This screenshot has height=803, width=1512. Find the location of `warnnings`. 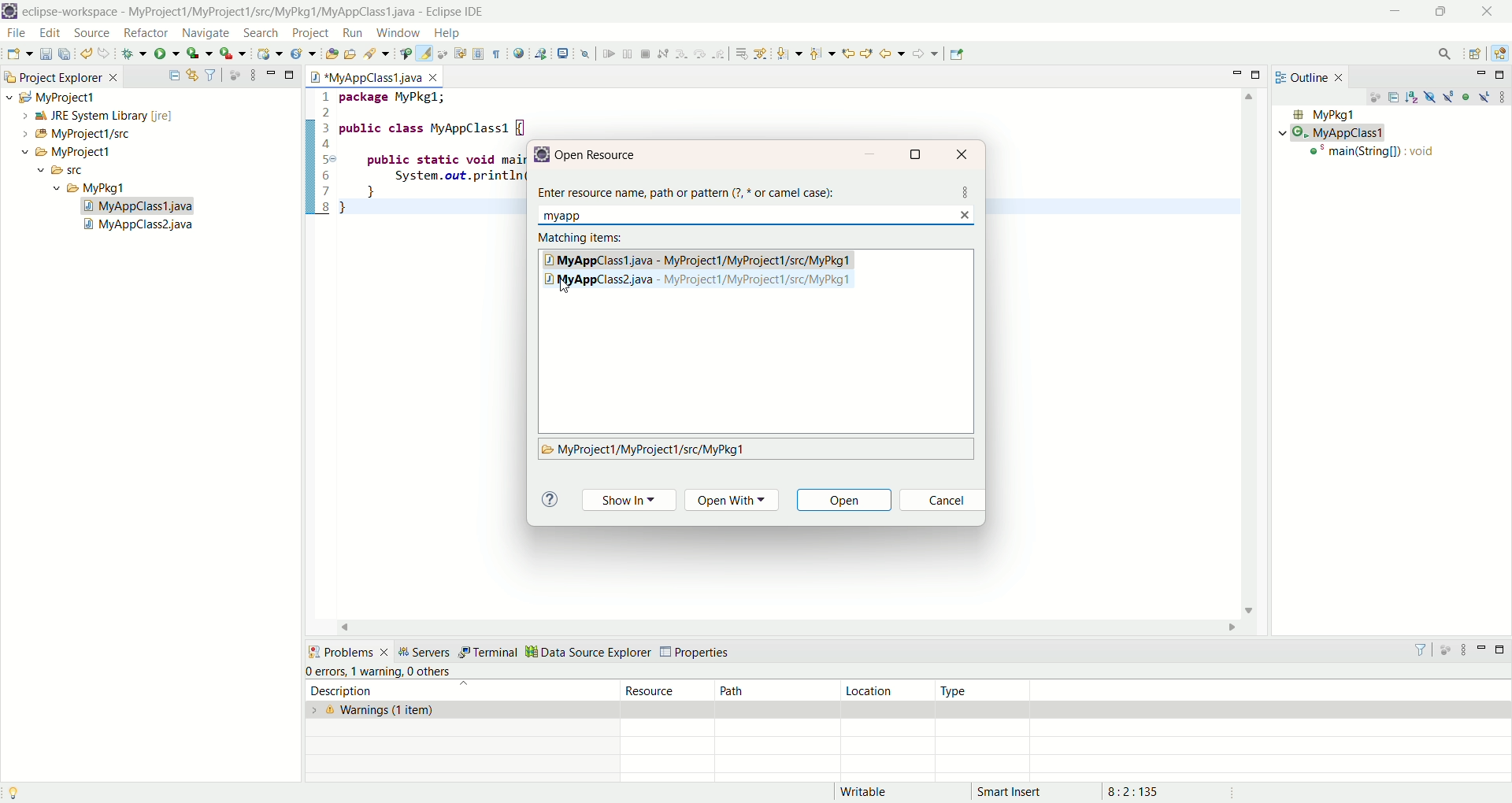

warnnings is located at coordinates (462, 710).